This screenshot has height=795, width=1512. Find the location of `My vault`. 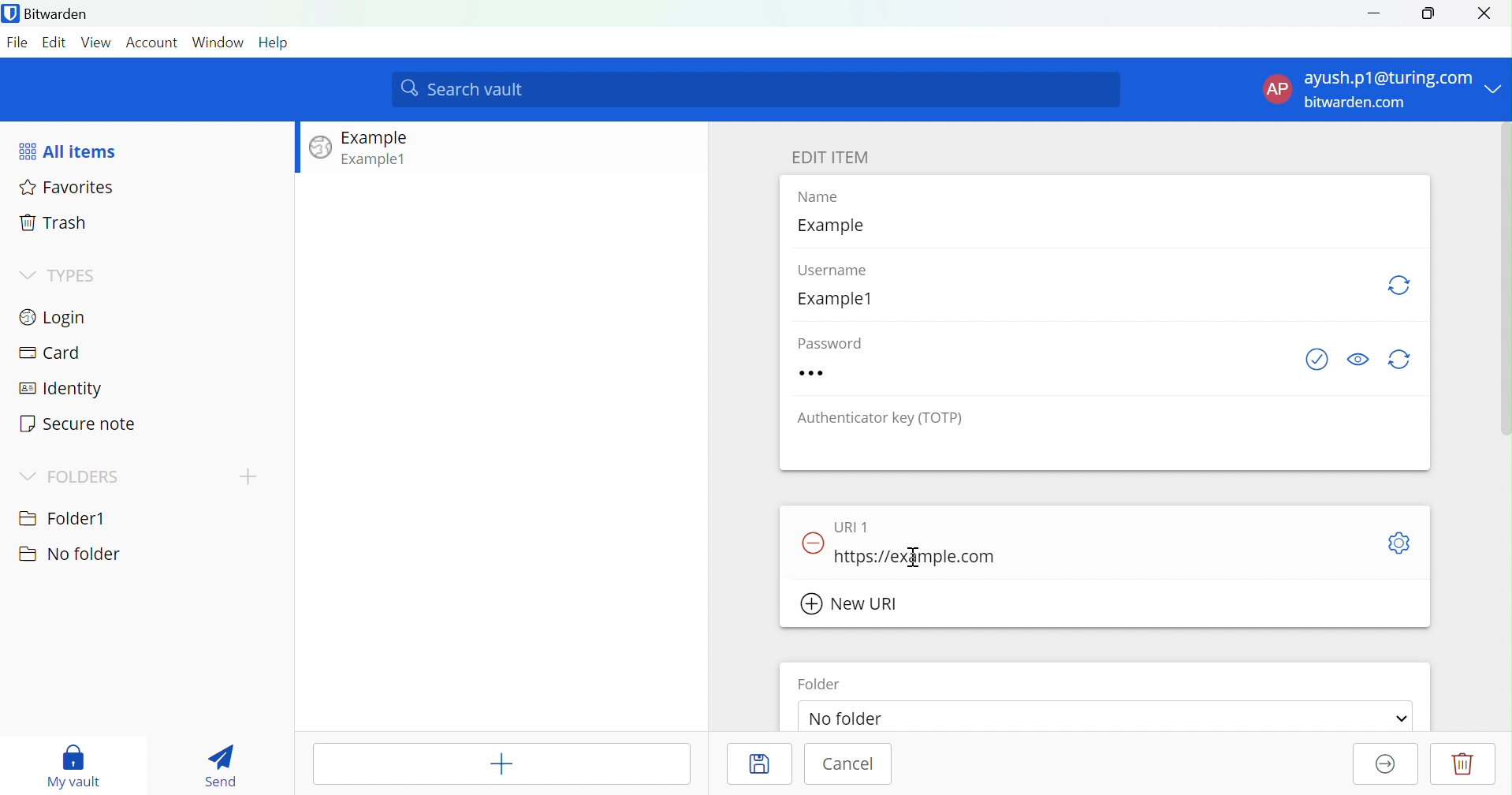

My vault is located at coordinates (74, 763).